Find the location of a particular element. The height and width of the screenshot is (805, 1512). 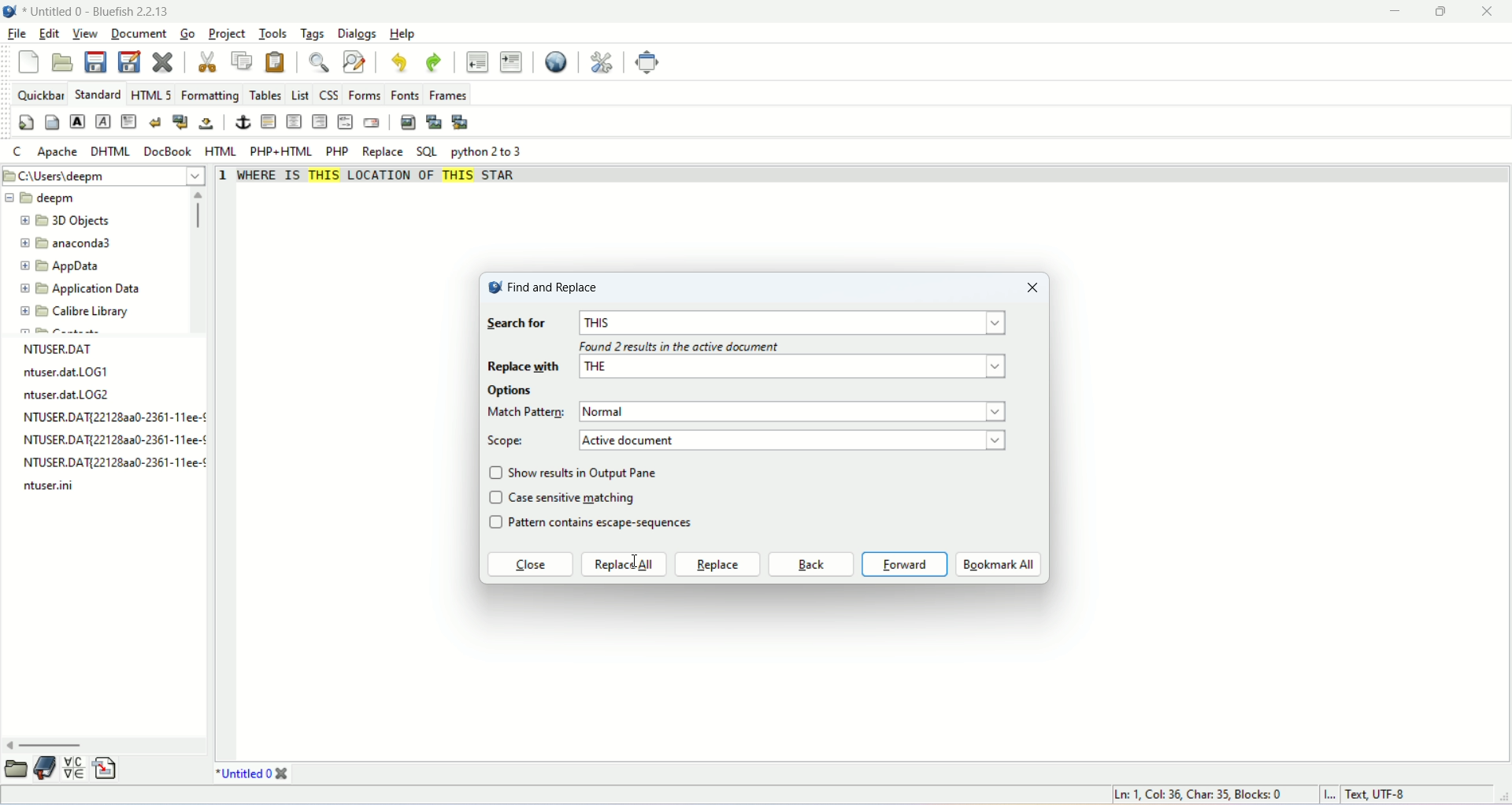

close is located at coordinates (529, 566).